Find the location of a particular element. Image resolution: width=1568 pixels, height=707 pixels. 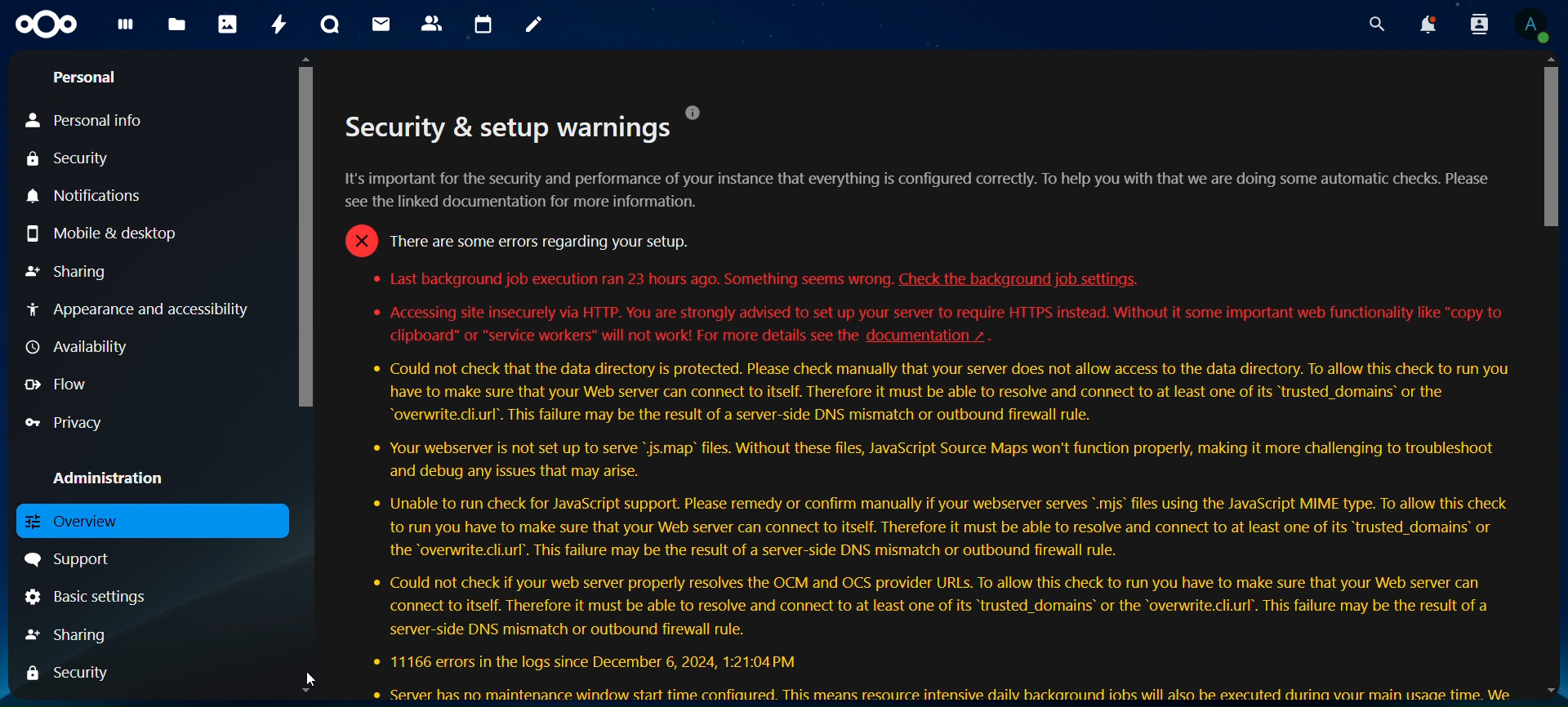

basic settings is located at coordinates (94, 598).